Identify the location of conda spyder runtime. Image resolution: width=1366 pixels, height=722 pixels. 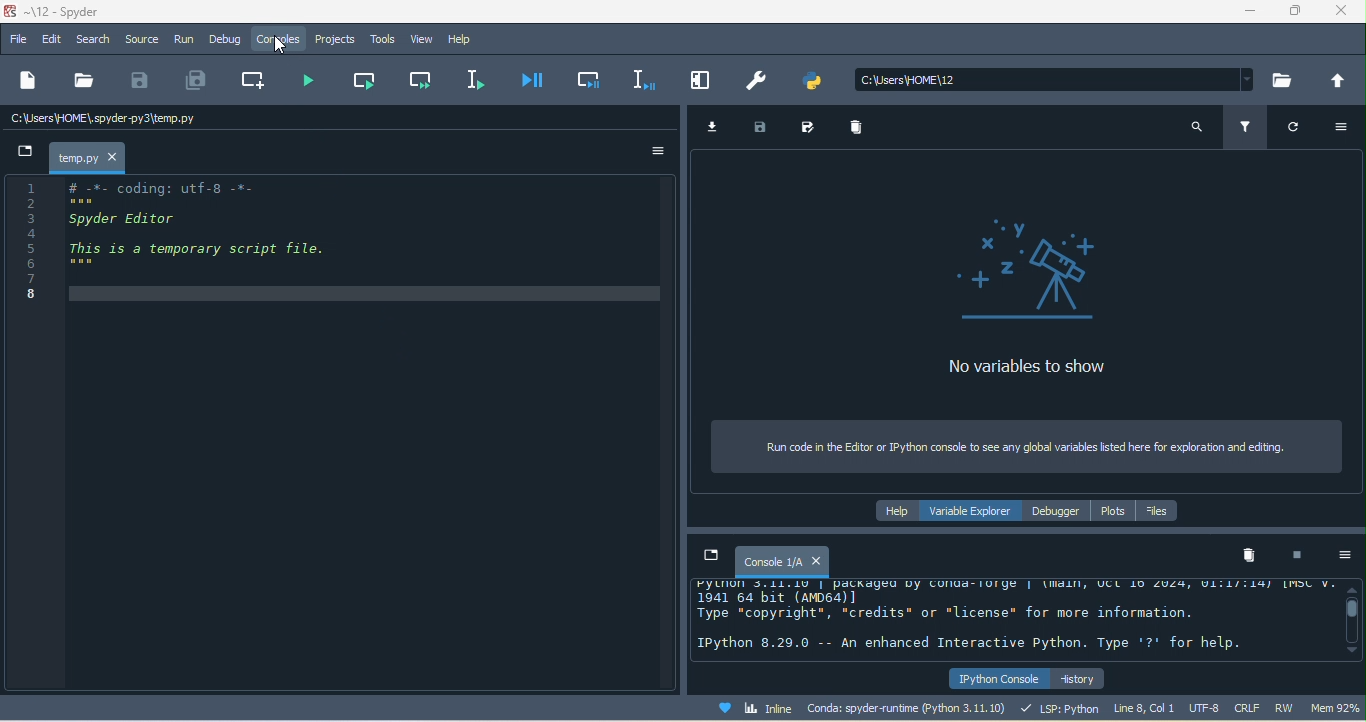
(910, 707).